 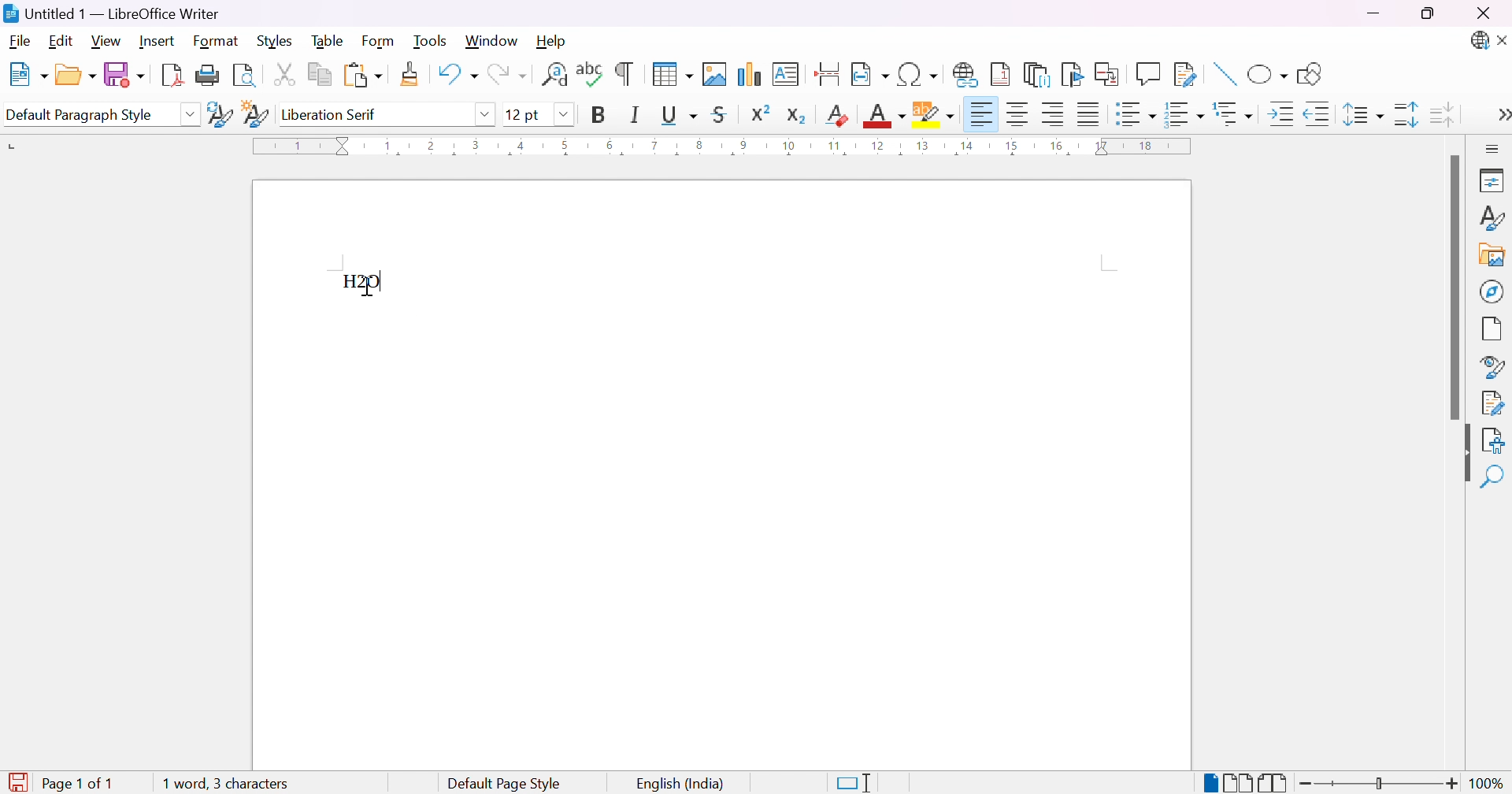 What do you see at coordinates (21, 43) in the screenshot?
I see `File` at bounding box center [21, 43].